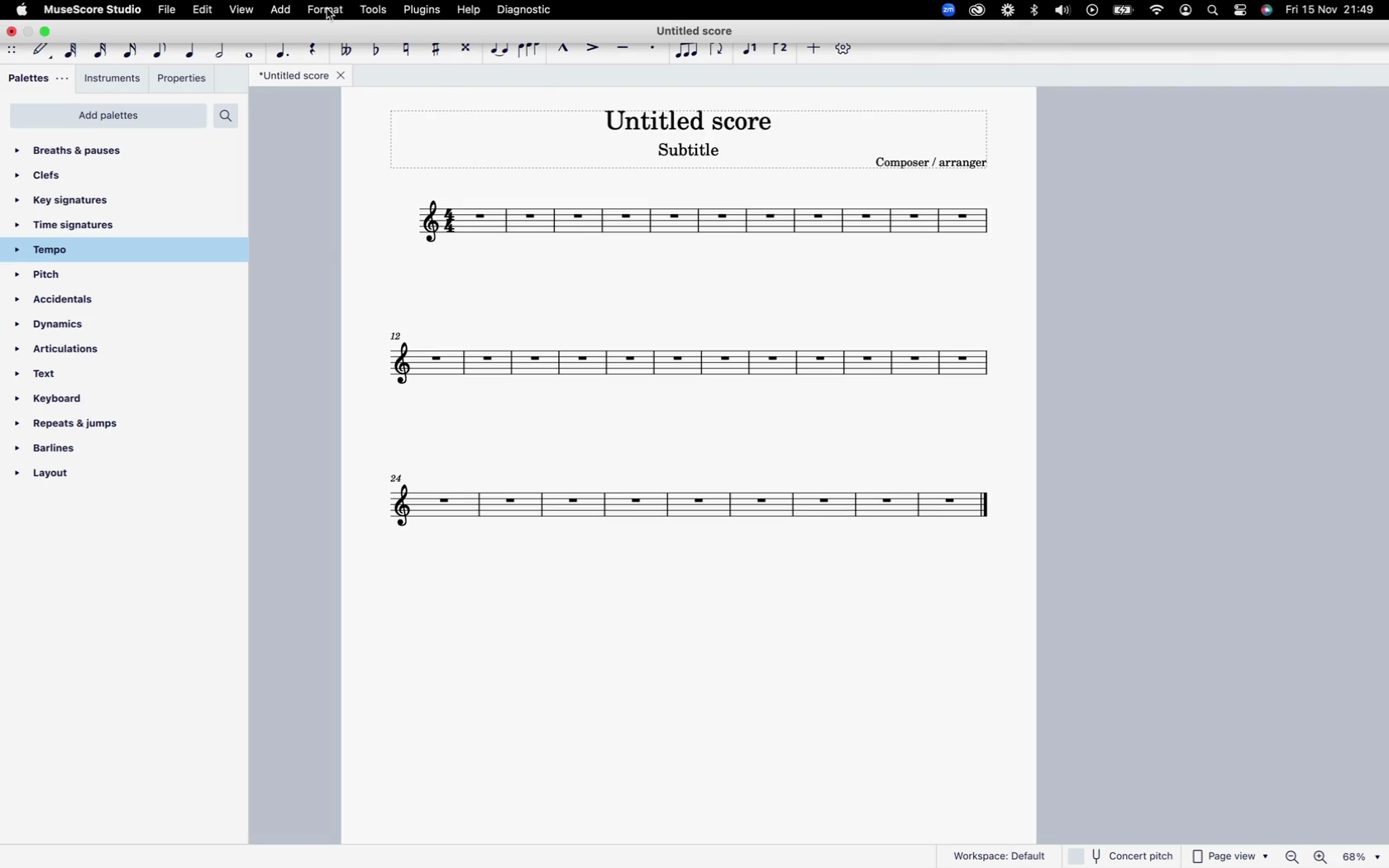 The width and height of the screenshot is (1389, 868). Describe the element at coordinates (303, 76) in the screenshot. I see `*Untitled score` at that location.